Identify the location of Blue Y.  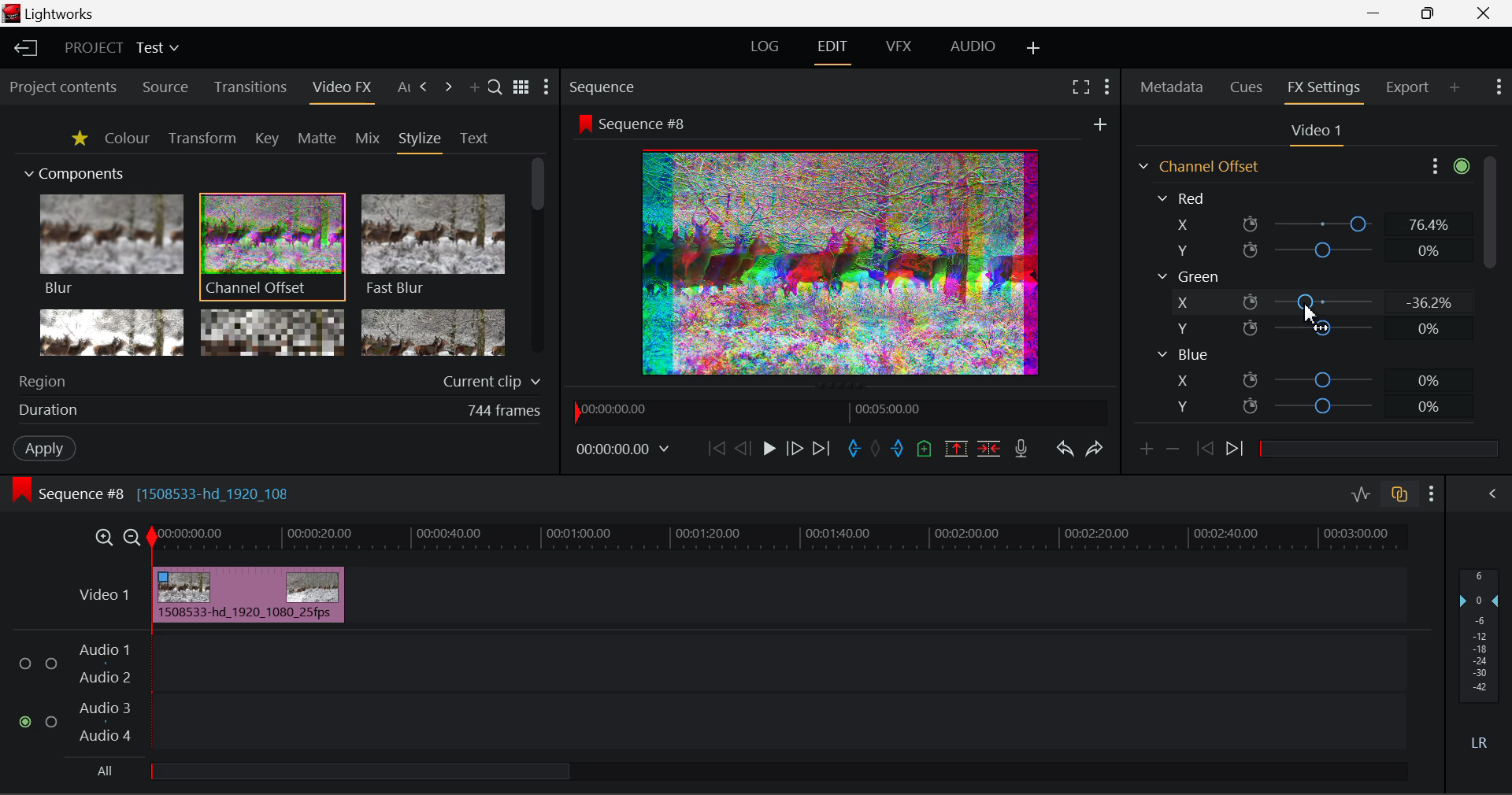
(1313, 405).